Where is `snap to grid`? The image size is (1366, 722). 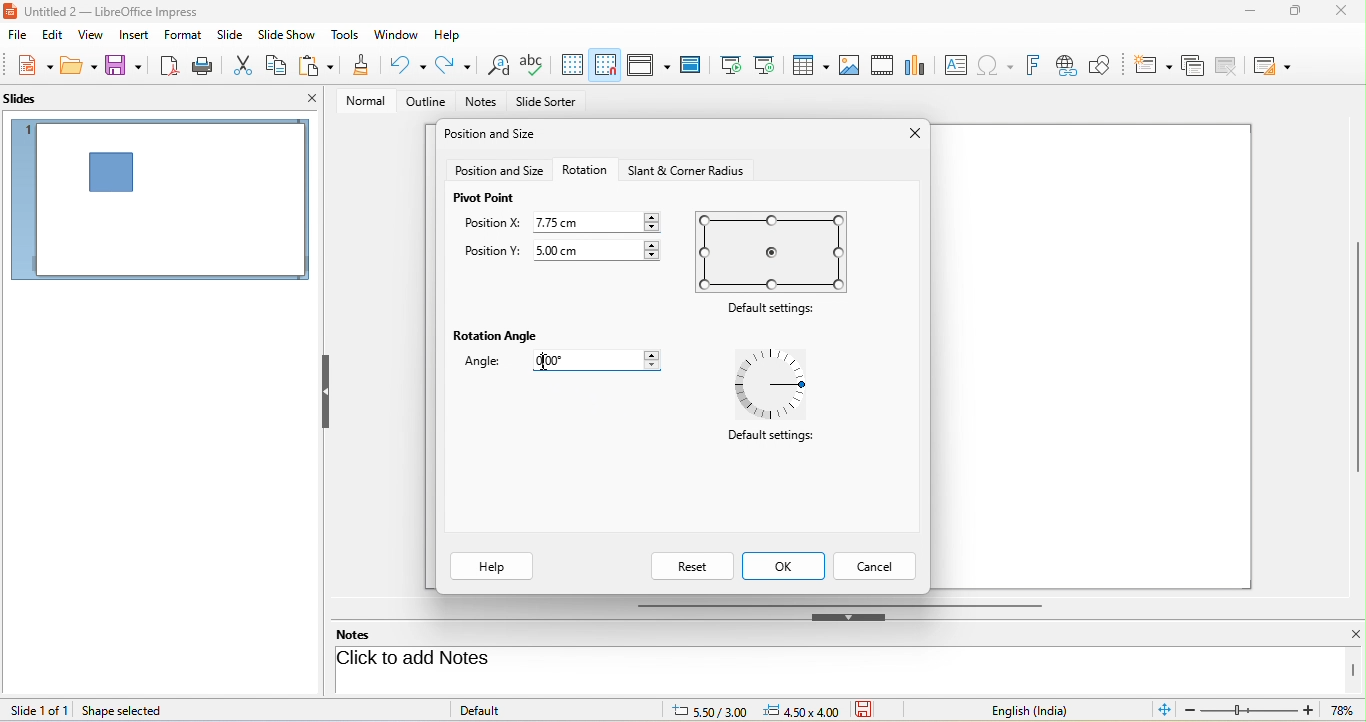 snap to grid is located at coordinates (605, 65).